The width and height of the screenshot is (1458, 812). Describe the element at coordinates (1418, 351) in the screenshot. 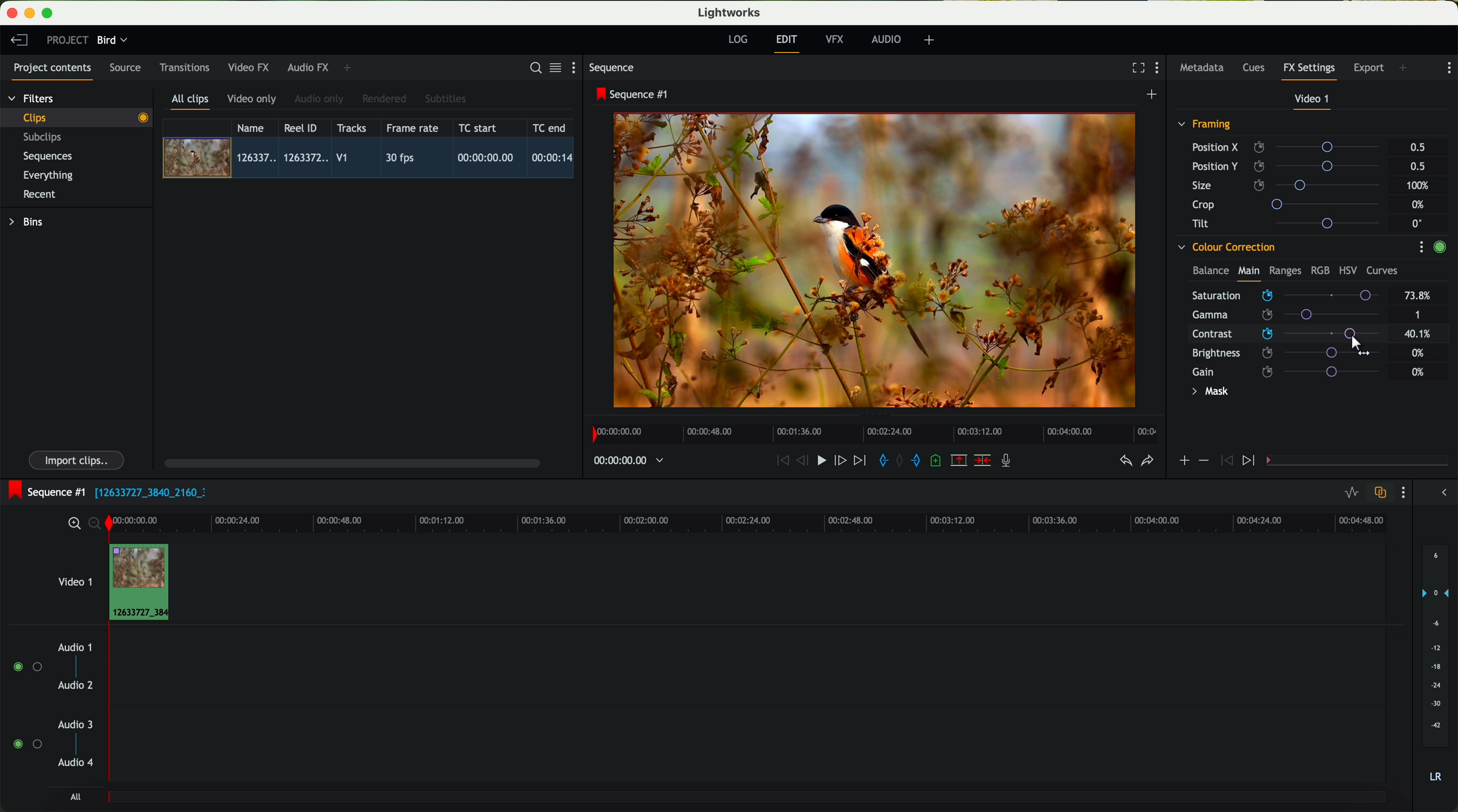

I see `0%` at that location.